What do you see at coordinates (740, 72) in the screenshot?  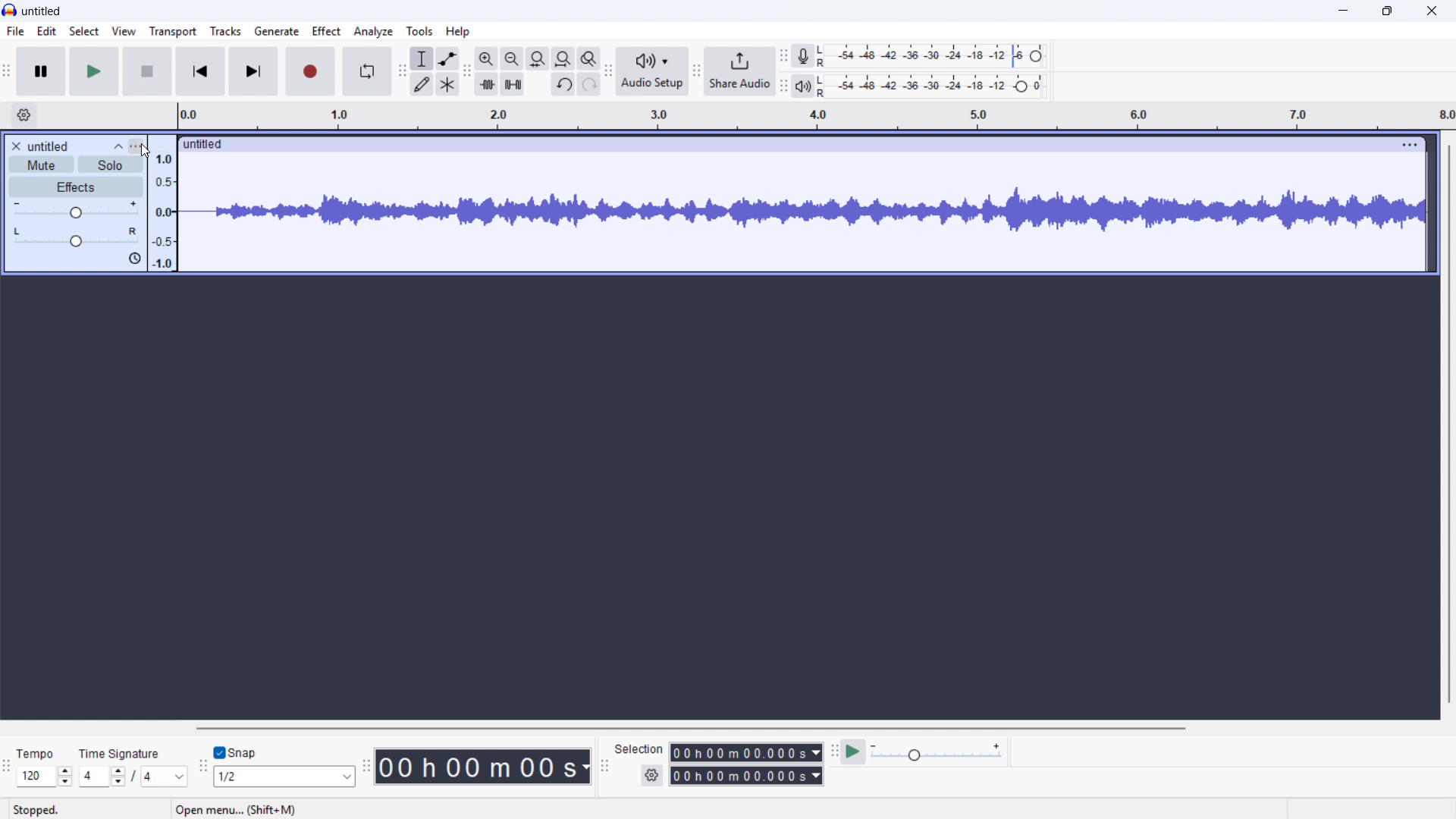 I see `Share audio ` at bounding box center [740, 72].